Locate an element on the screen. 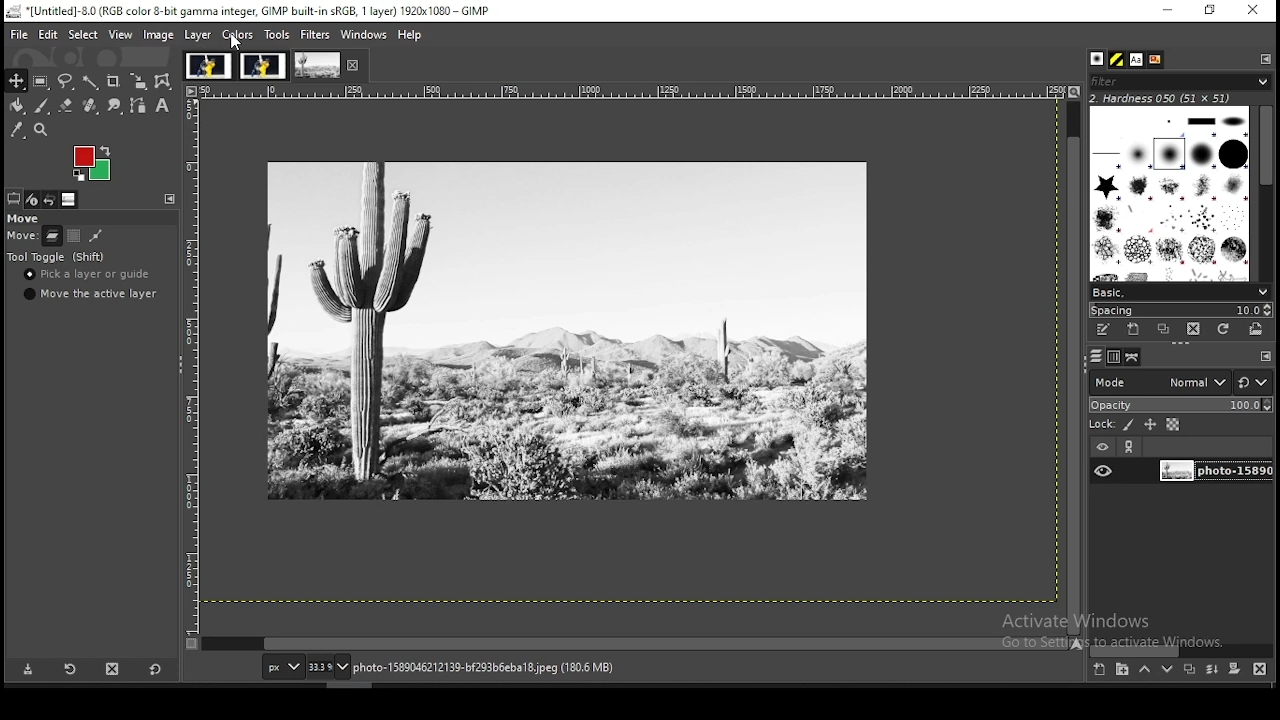  scroll bar is located at coordinates (1181, 650).